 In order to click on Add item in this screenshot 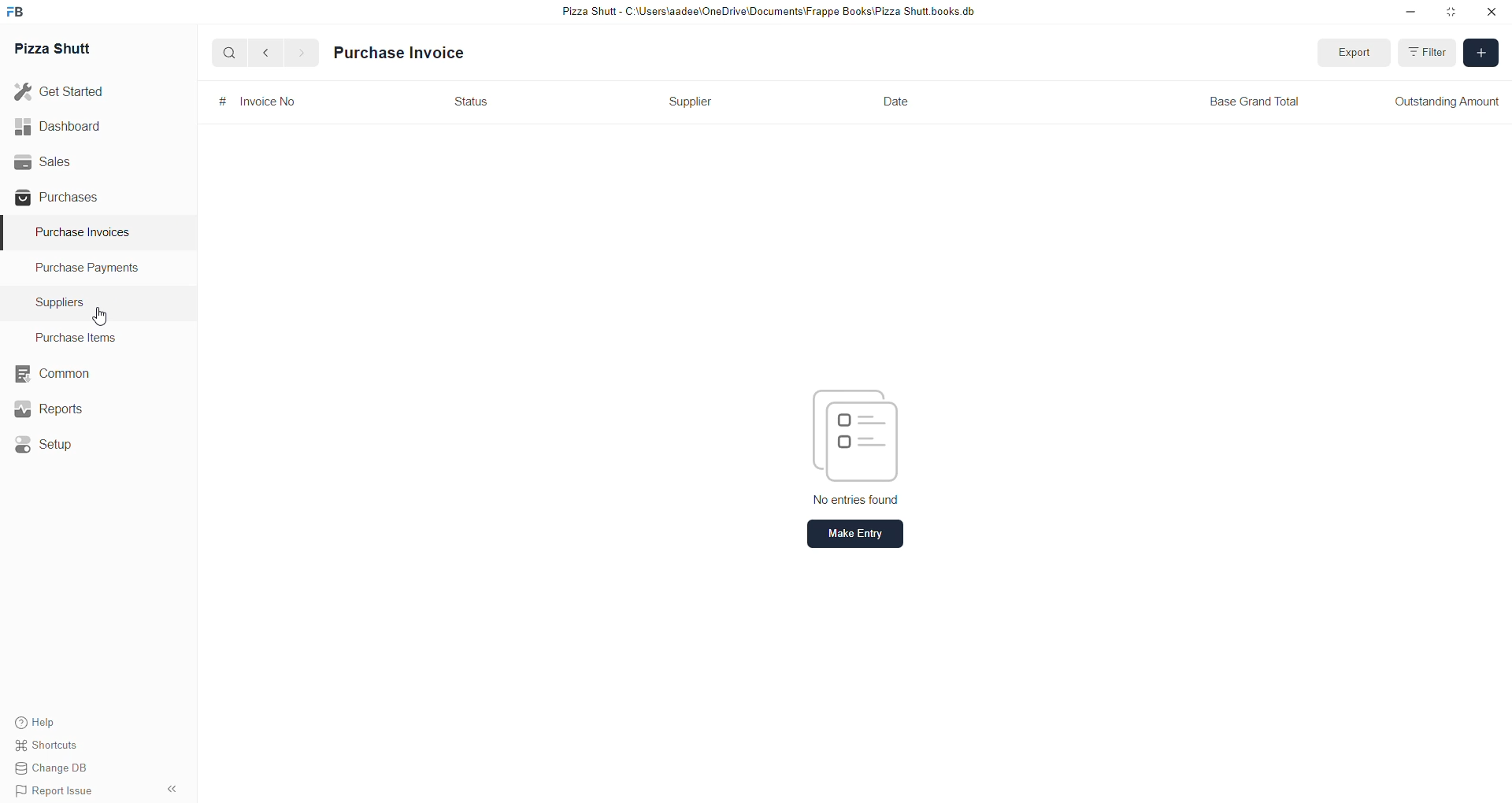, I will do `click(1482, 52)`.